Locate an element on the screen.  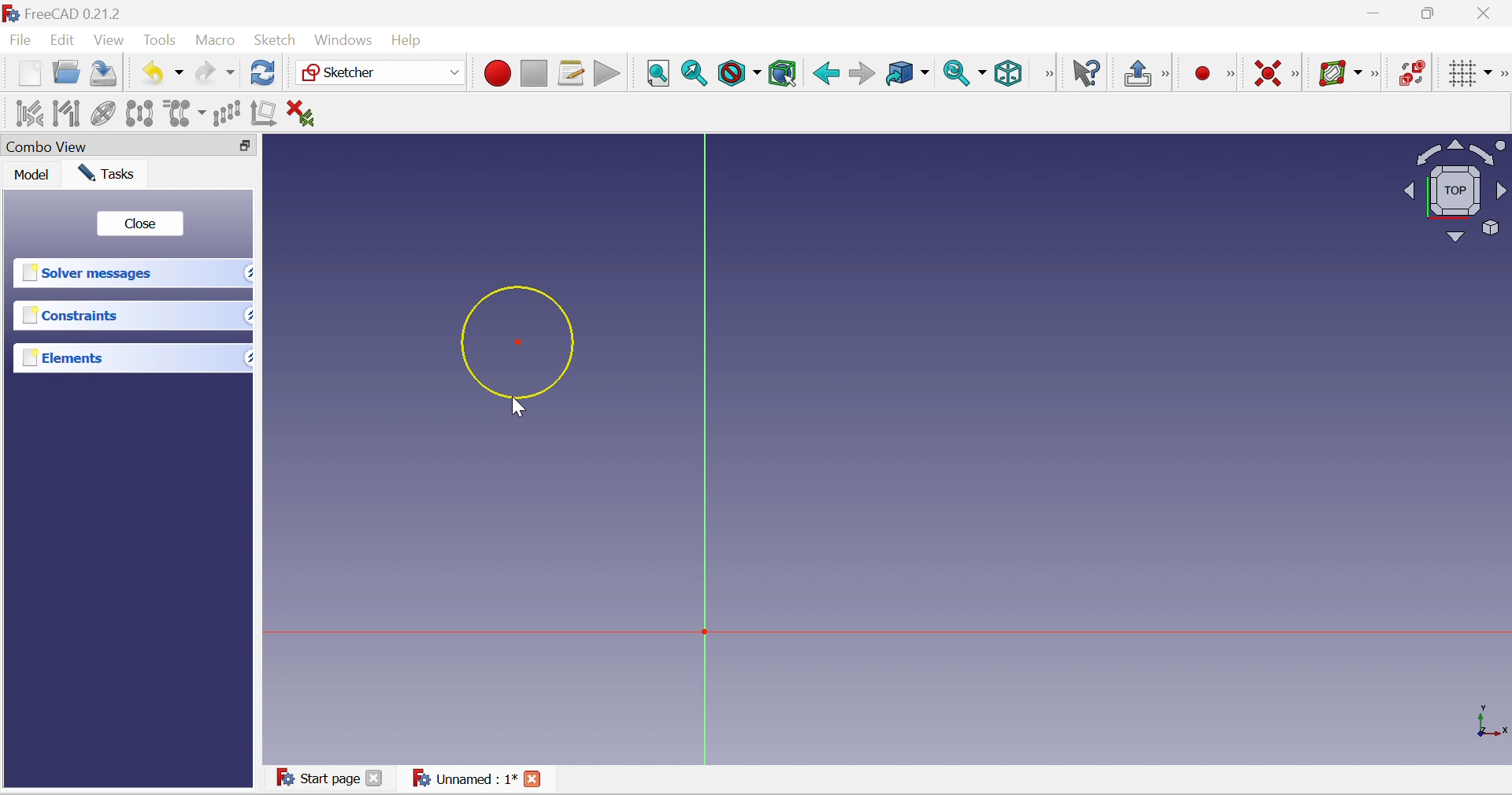
Start page is located at coordinates (332, 778).